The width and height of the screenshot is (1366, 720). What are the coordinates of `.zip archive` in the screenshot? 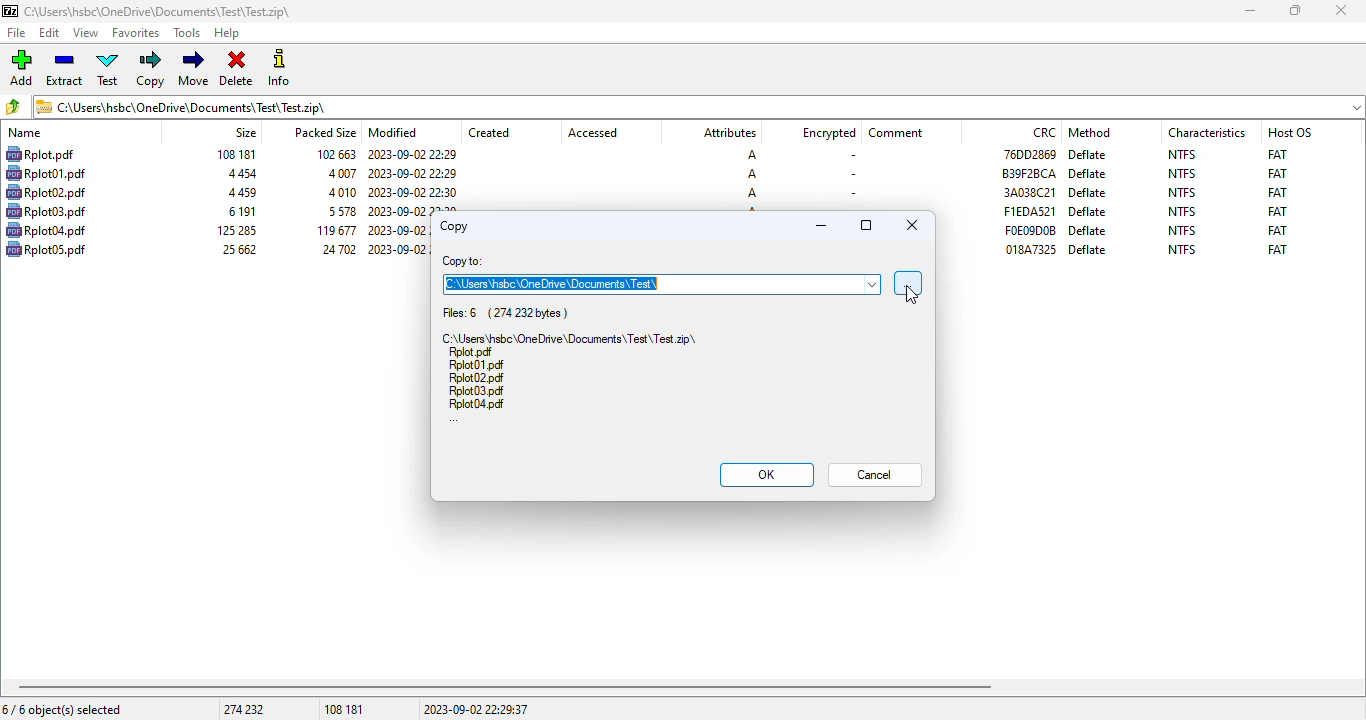 It's located at (699, 106).